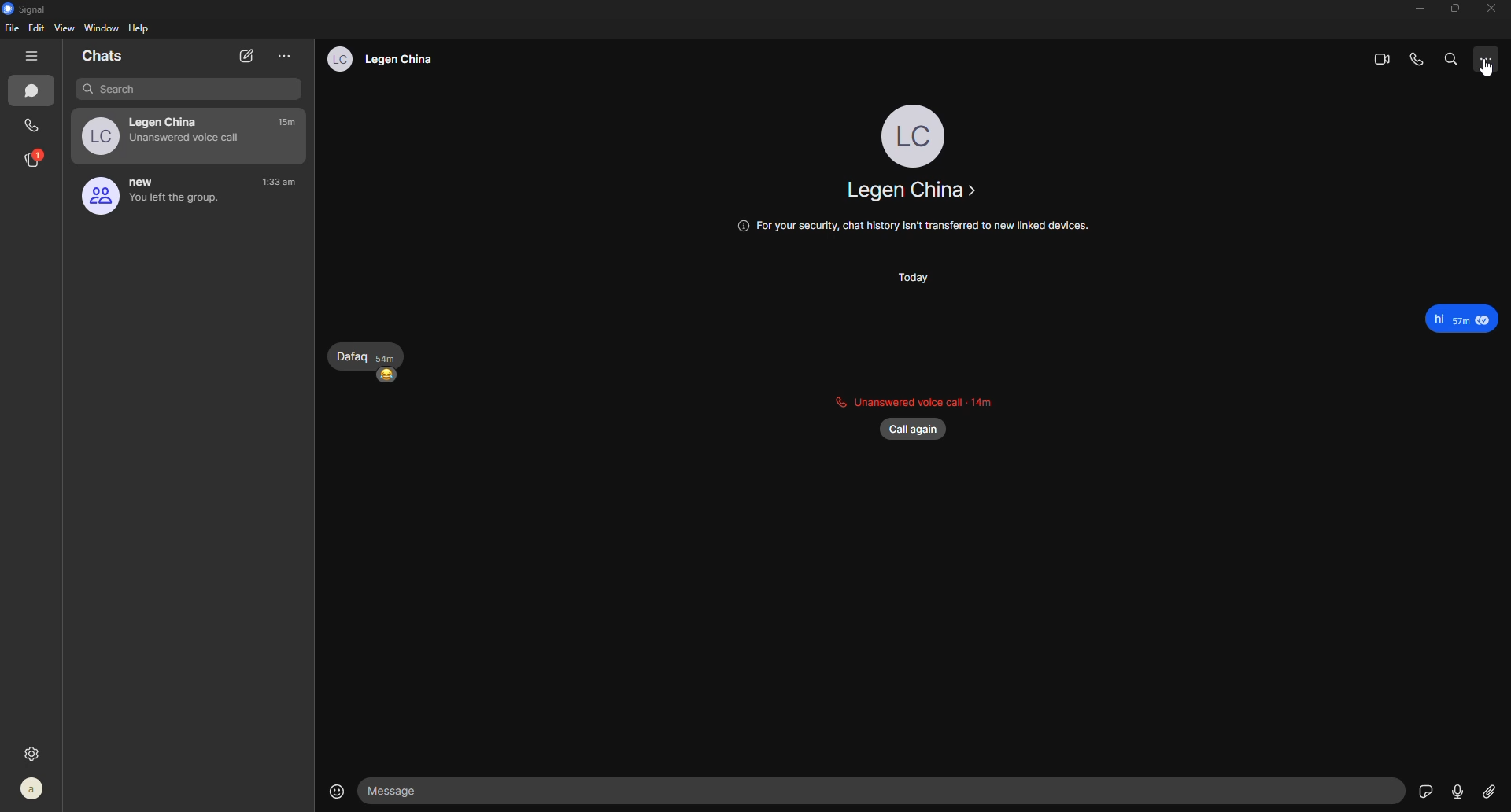  What do you see at coordinates (1486, 8) in the screenshot?
I see `close` at bounding box center [1486, 8].